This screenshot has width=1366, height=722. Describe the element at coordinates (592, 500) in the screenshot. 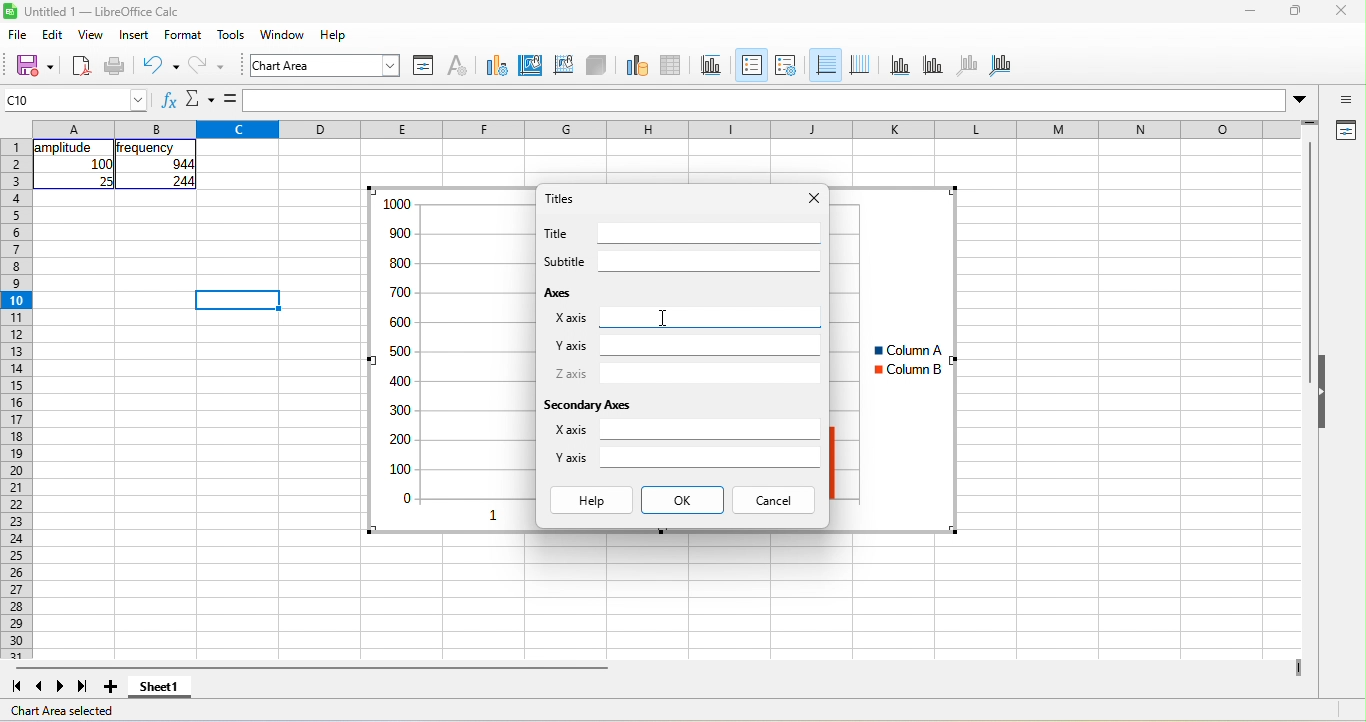

I see `help` at that location.